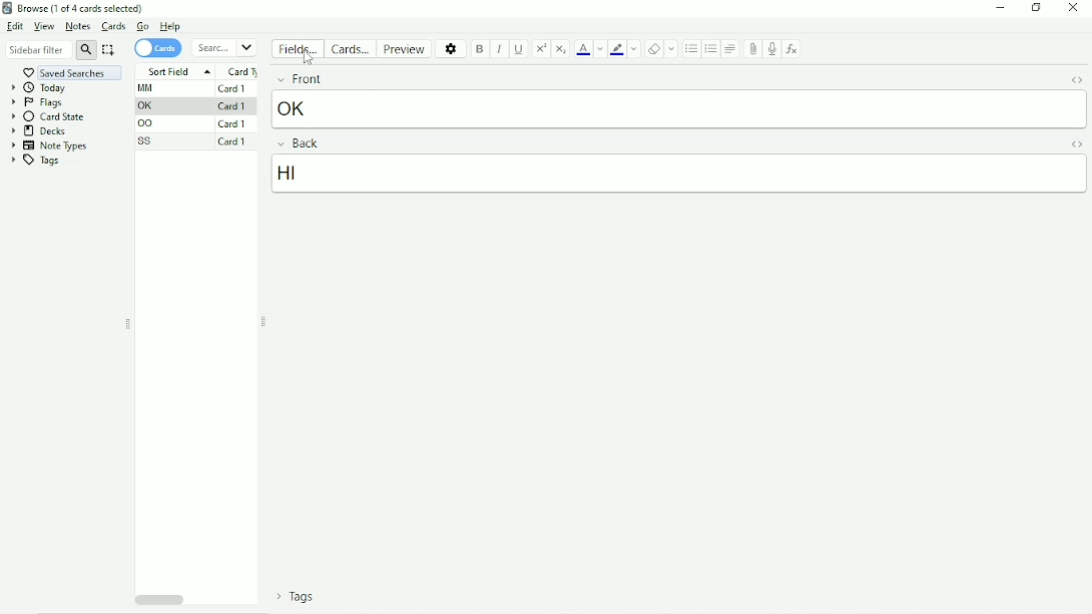 The height and width of the screenshot is (614, 1092). I want to click on OO, so click(149, 124).